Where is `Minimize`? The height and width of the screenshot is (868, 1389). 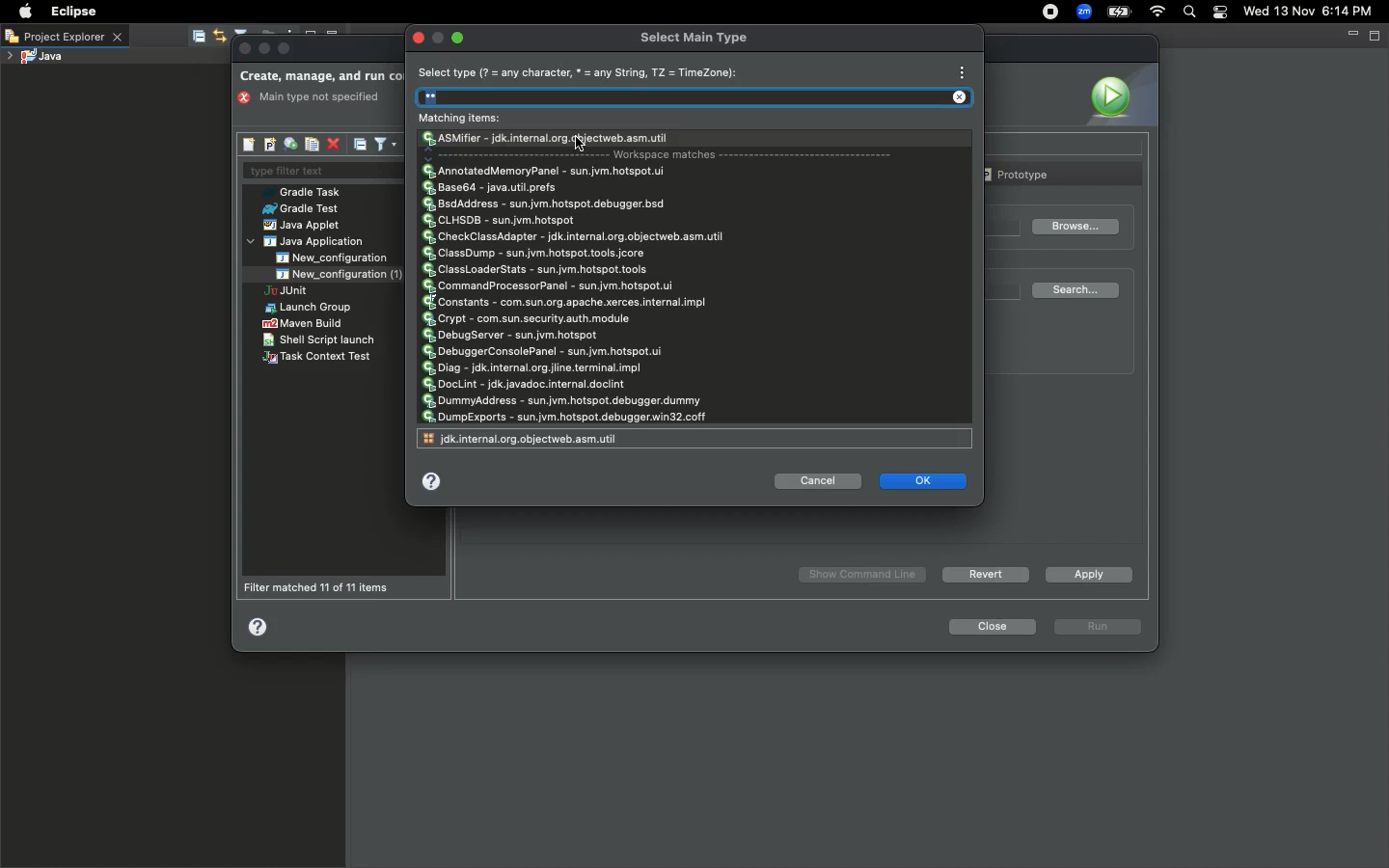
Minimize is located at coordinates (1351, 34).